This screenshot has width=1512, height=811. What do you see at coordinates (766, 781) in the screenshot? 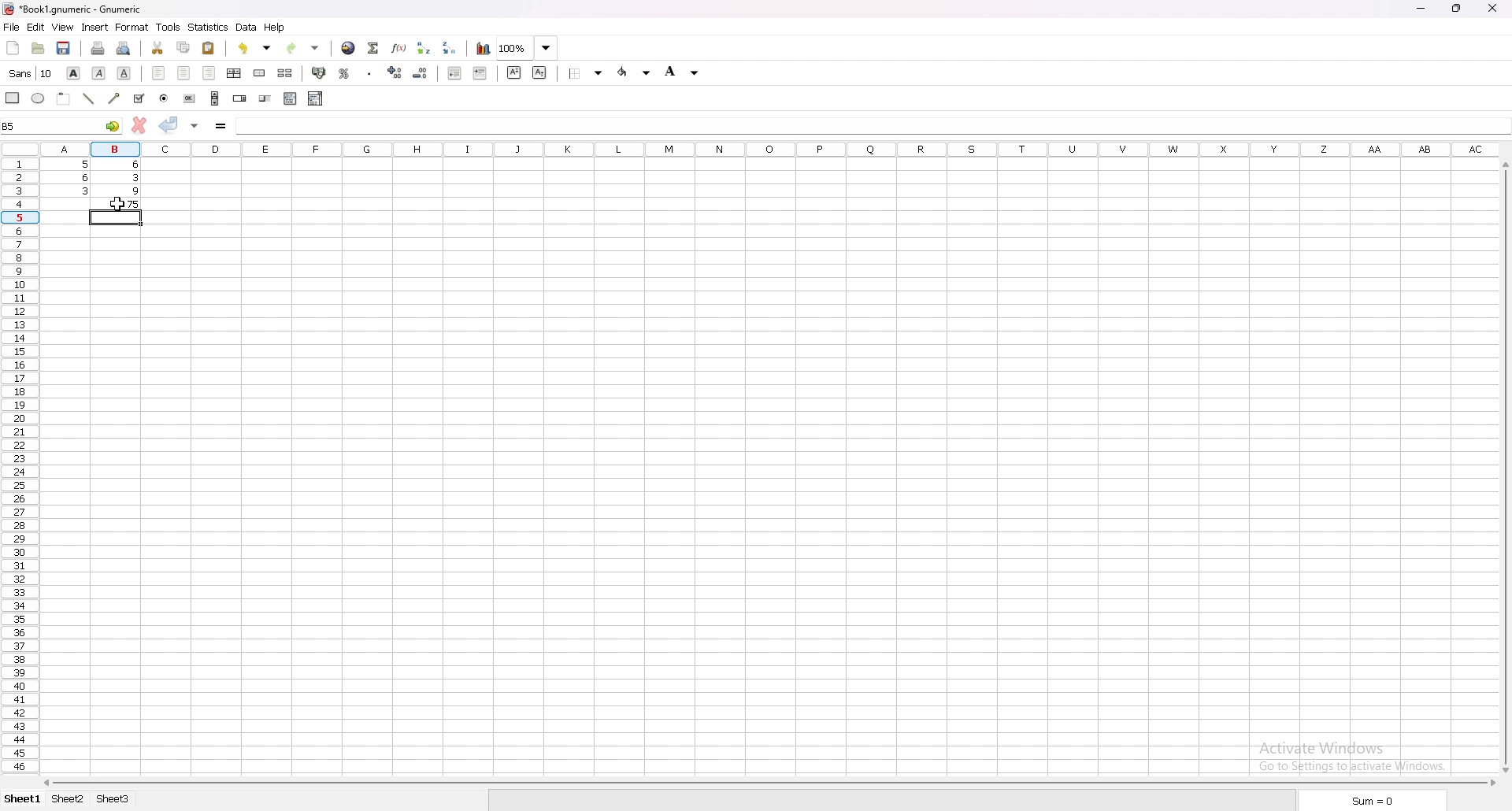
I see `scroll bar` at bounding box center [766, 781].